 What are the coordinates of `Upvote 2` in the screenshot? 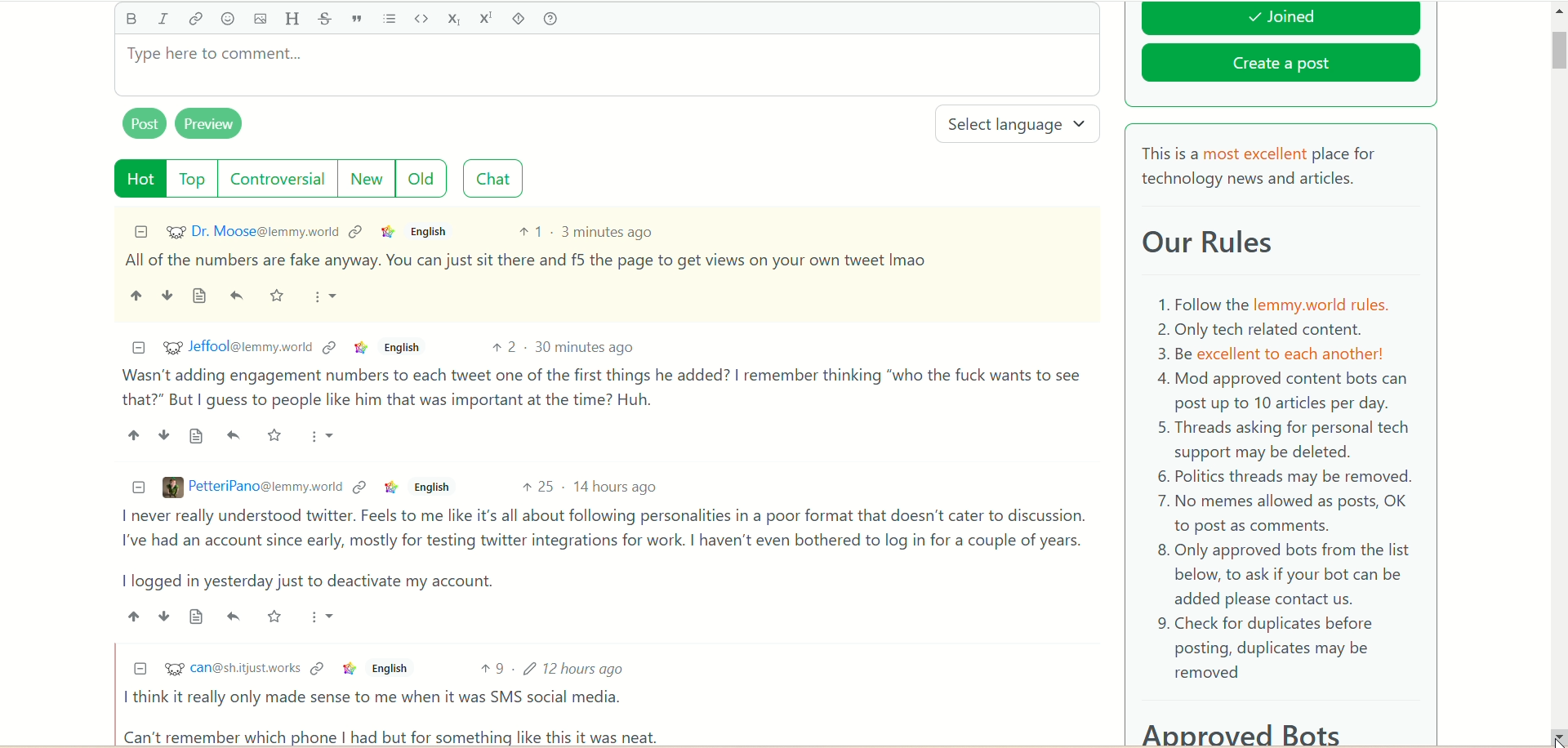 It's located at (506, 347).